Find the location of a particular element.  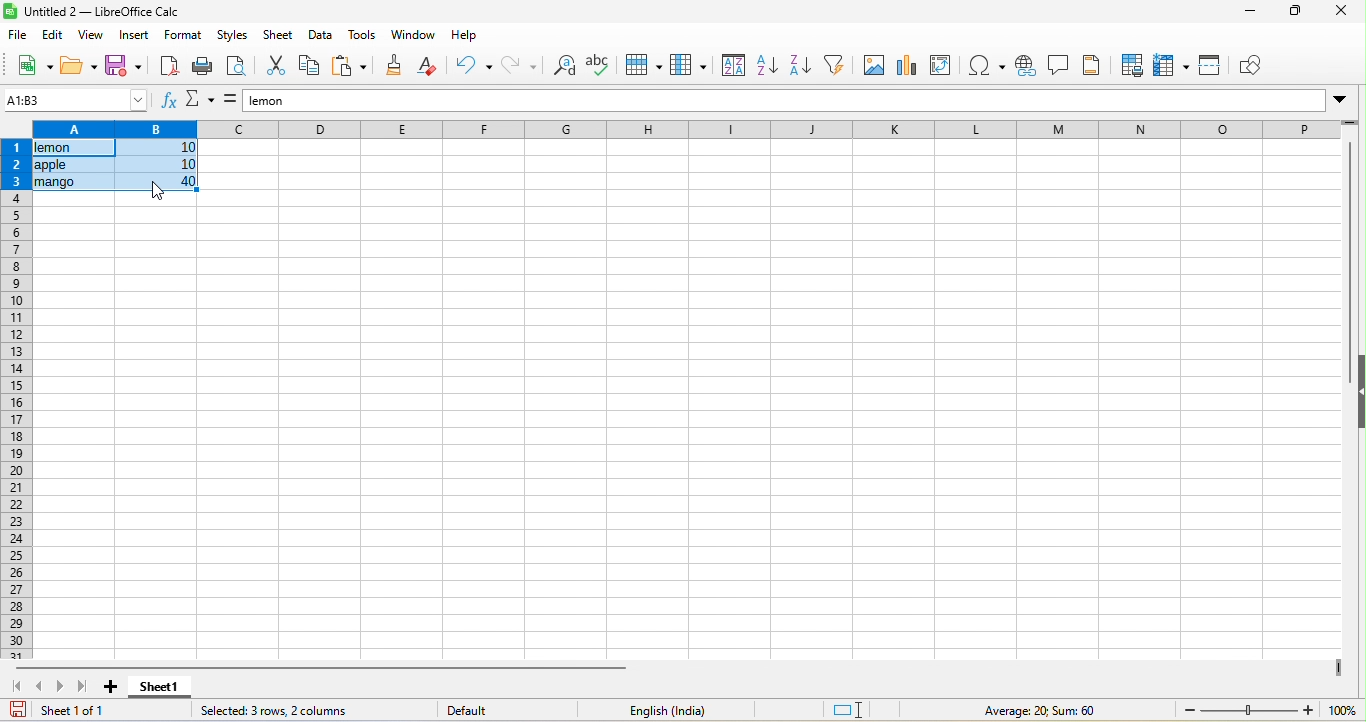

new  is located at coordinates (36, 67).